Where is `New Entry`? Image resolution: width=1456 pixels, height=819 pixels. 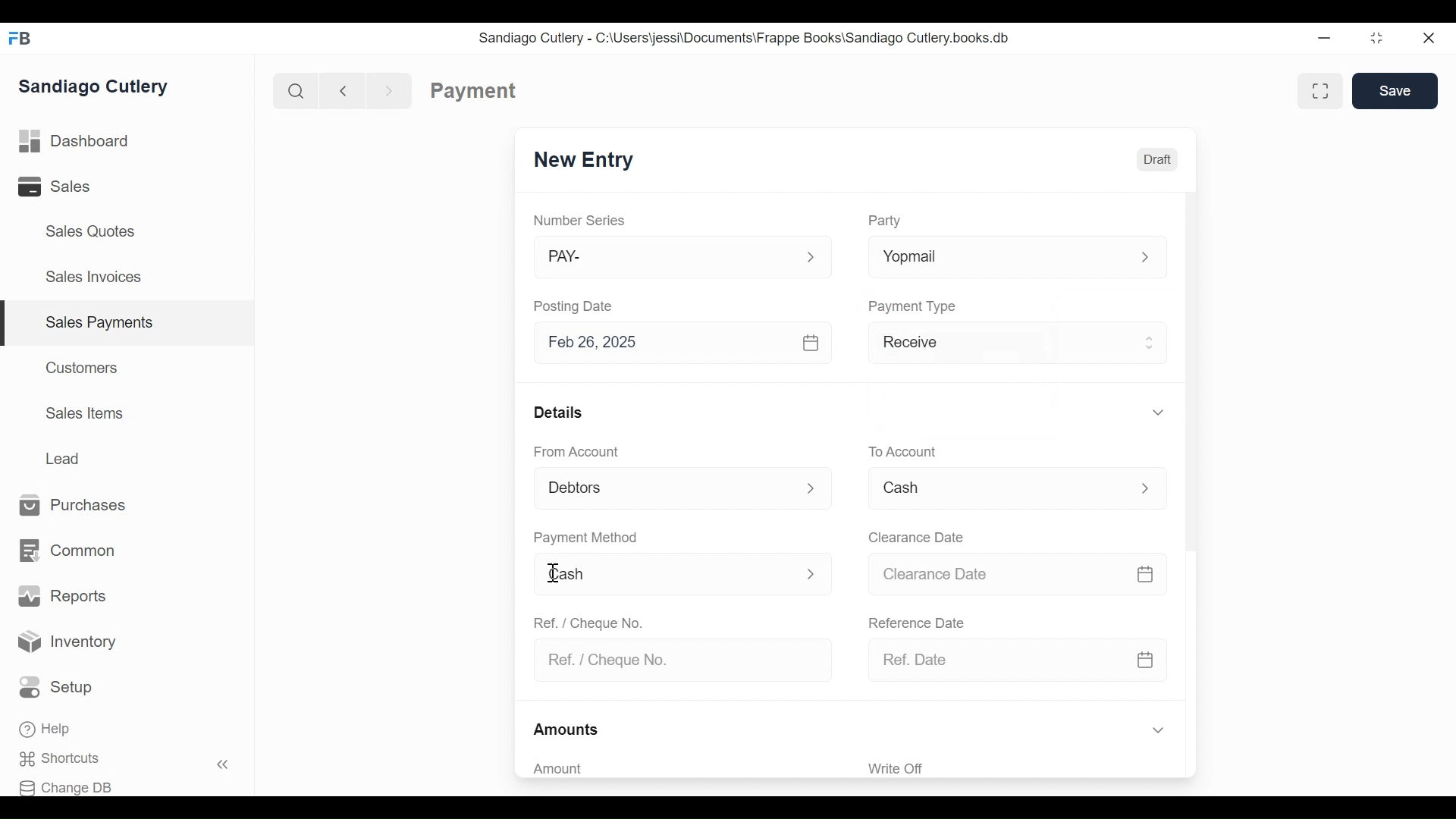
New Entry is located at coordinates (584, 161).